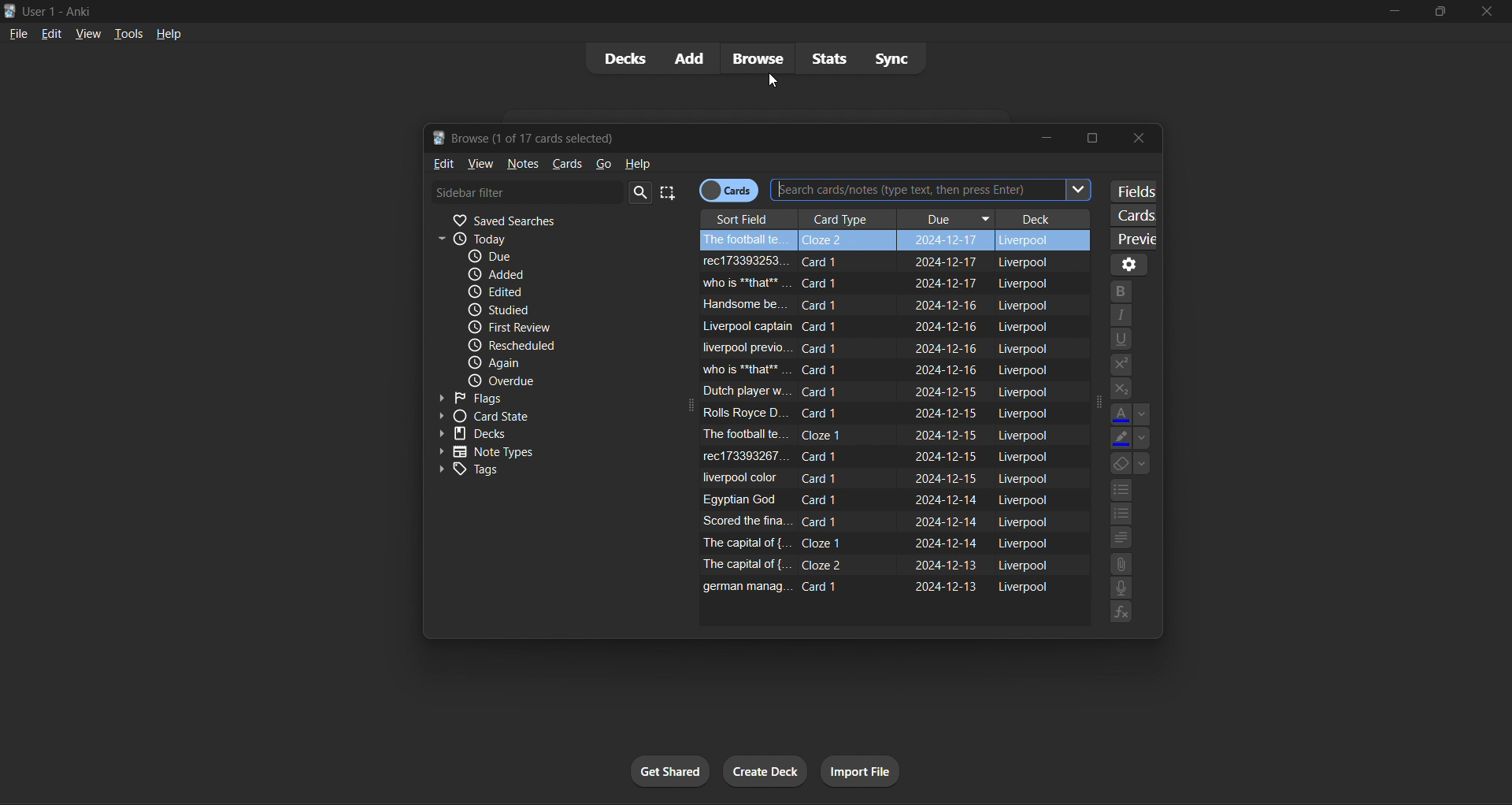  Describe the element at coordinates (1136, 191) in the screenshot. I see `customize fields` at that location.